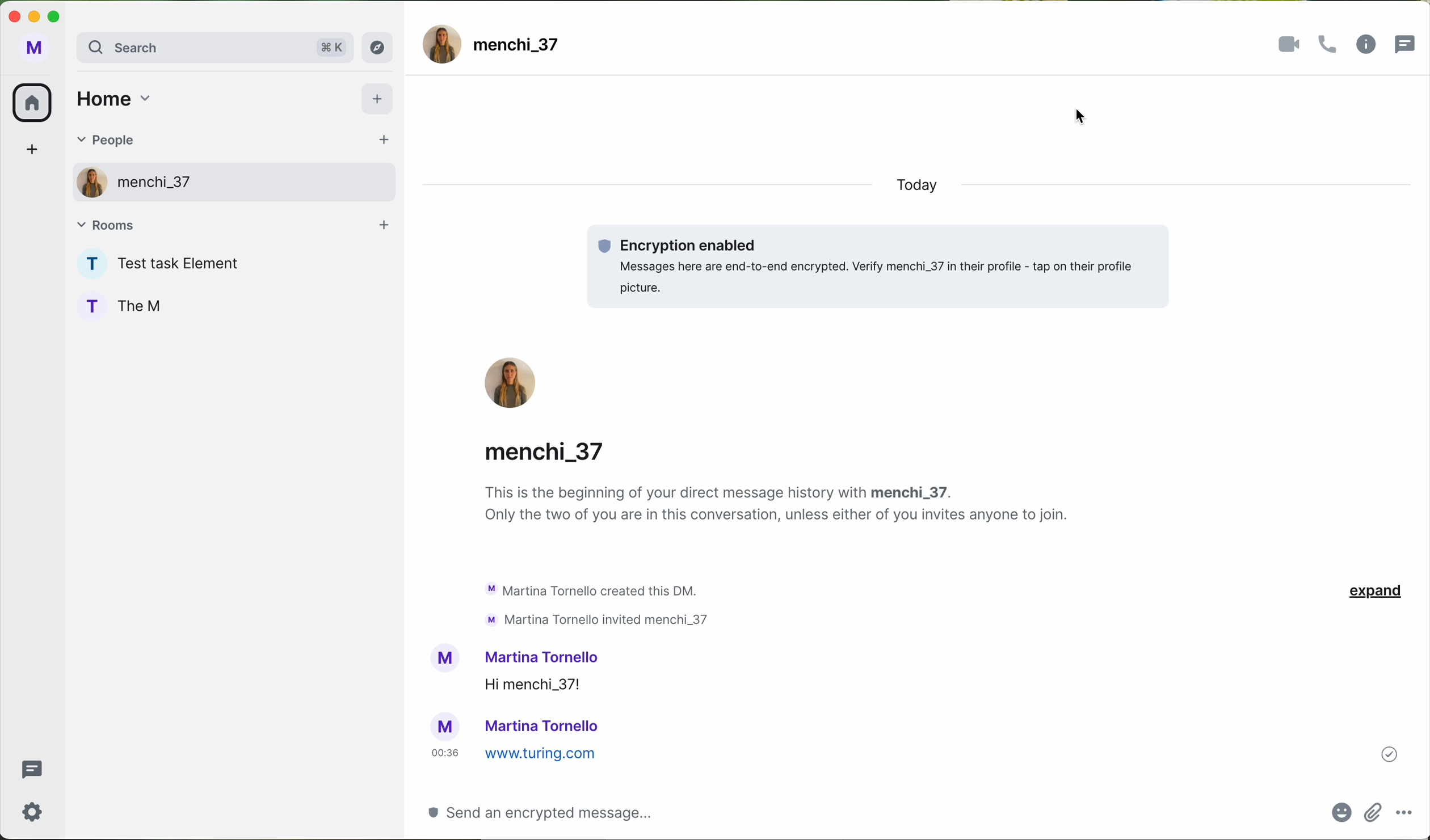 This screenshot has height=840, width=1430. I want to click on add, so click(36, 152).